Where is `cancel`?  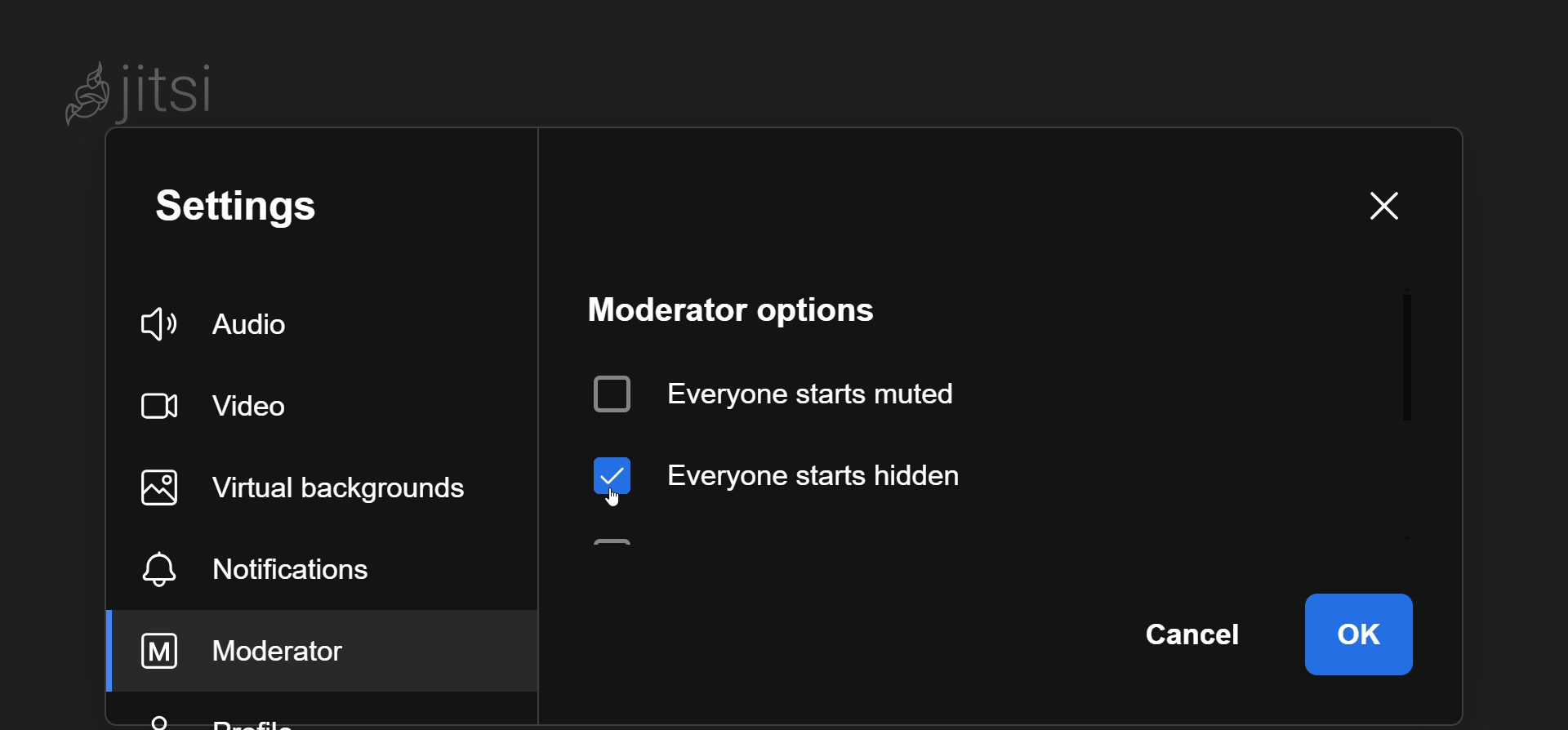 cancel is located at coordinates (1199, 634).